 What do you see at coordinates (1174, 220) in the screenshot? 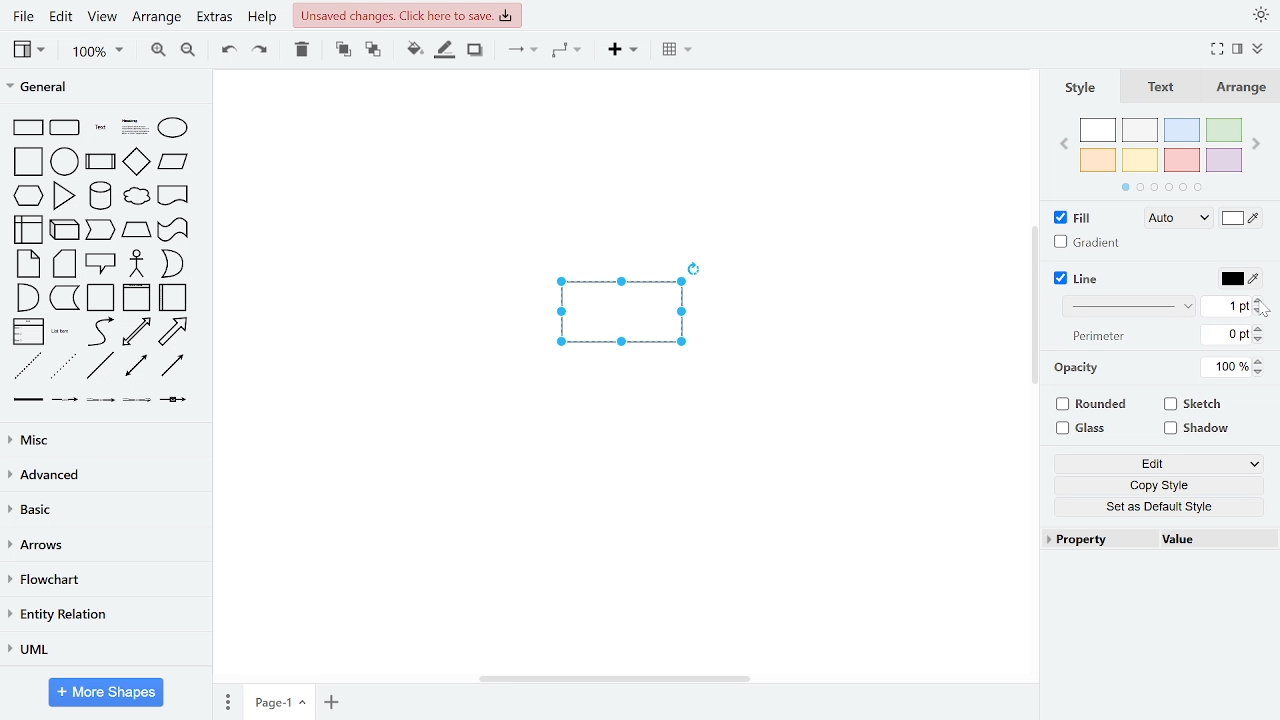
I see `Fill style` at bounding box center [1174, 220].